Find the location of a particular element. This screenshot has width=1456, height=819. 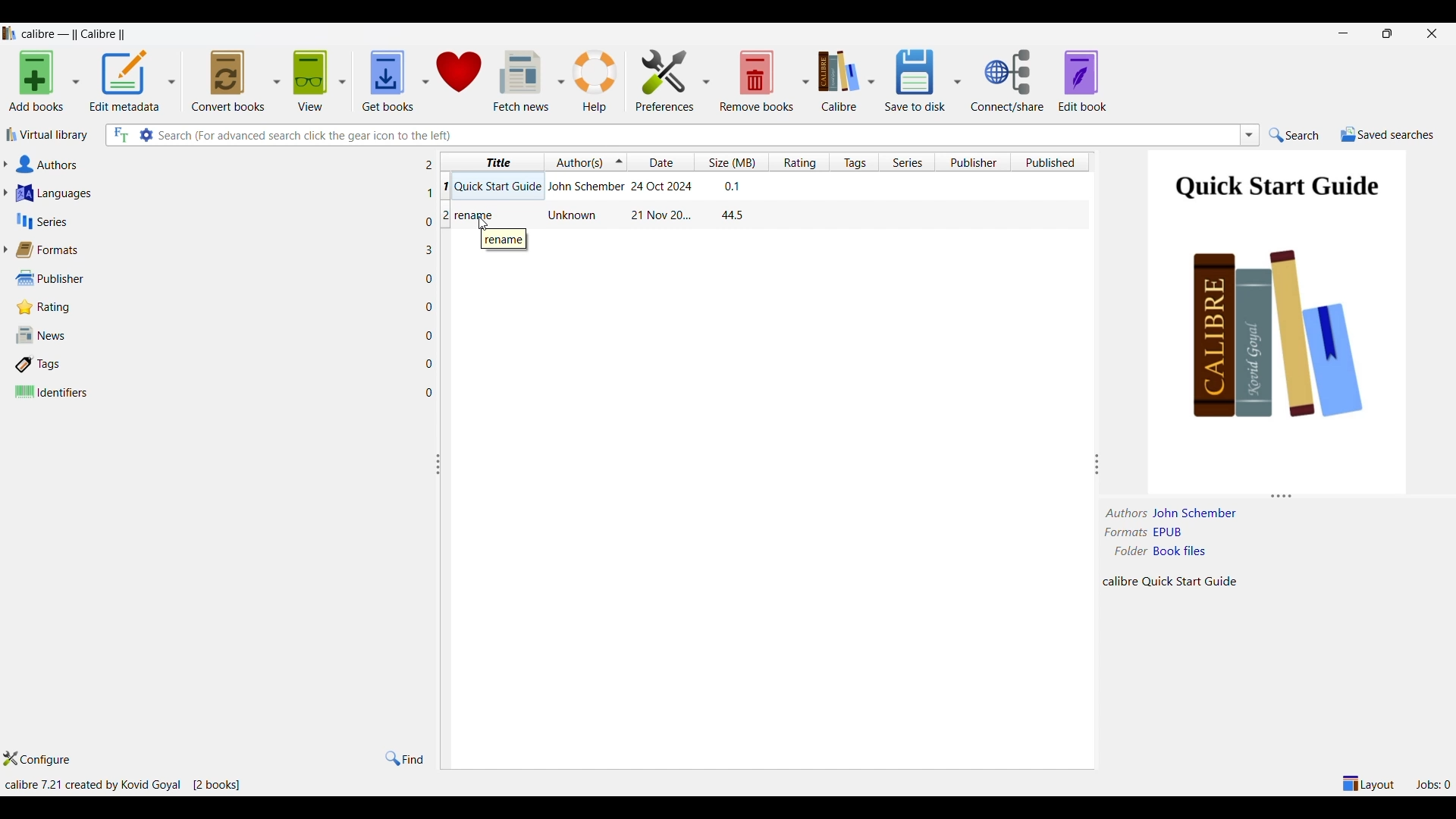

Author name is located at coordinates (1194, 513).